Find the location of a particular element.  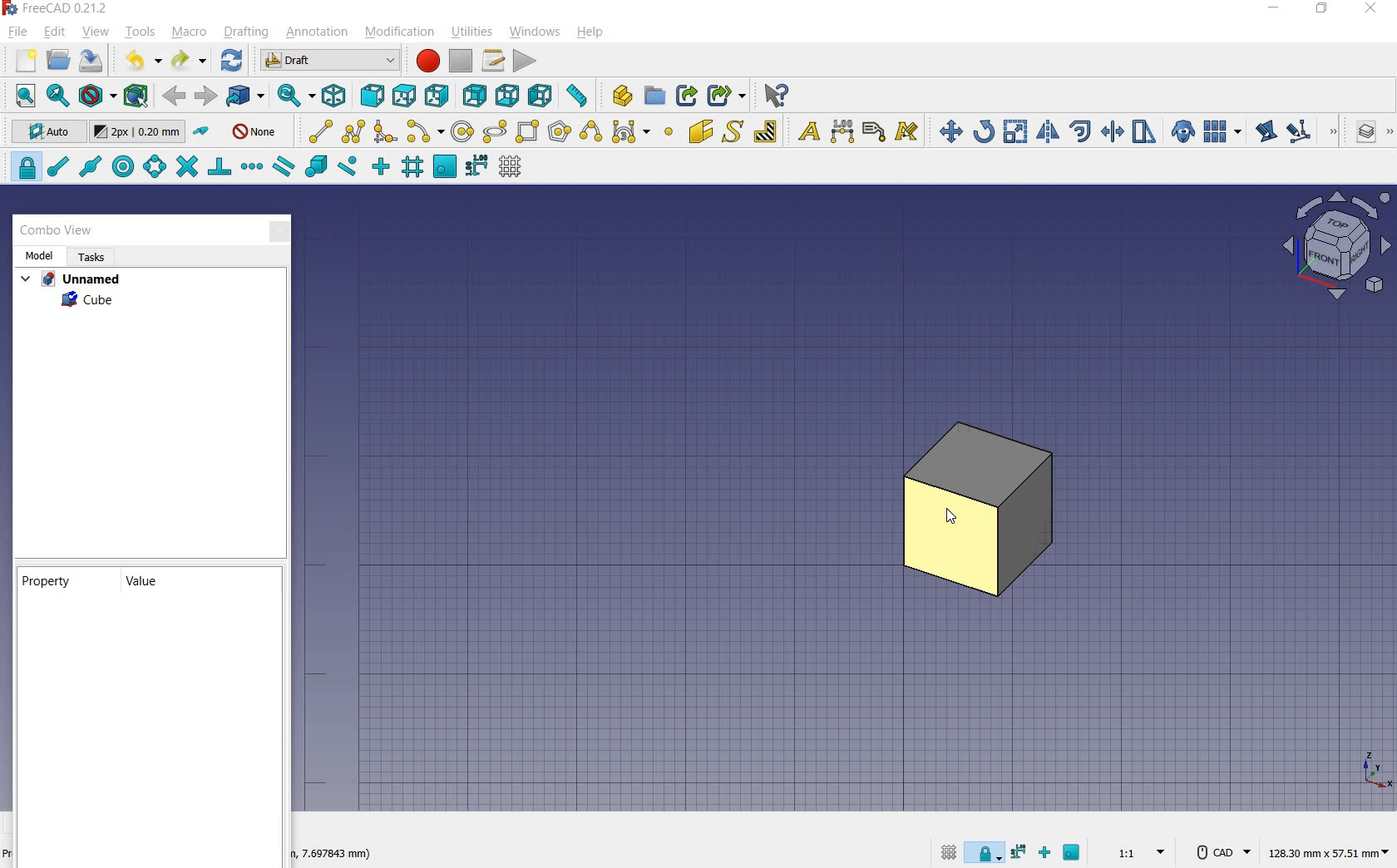

toggle construction mode is located at coordinates (203, 132).